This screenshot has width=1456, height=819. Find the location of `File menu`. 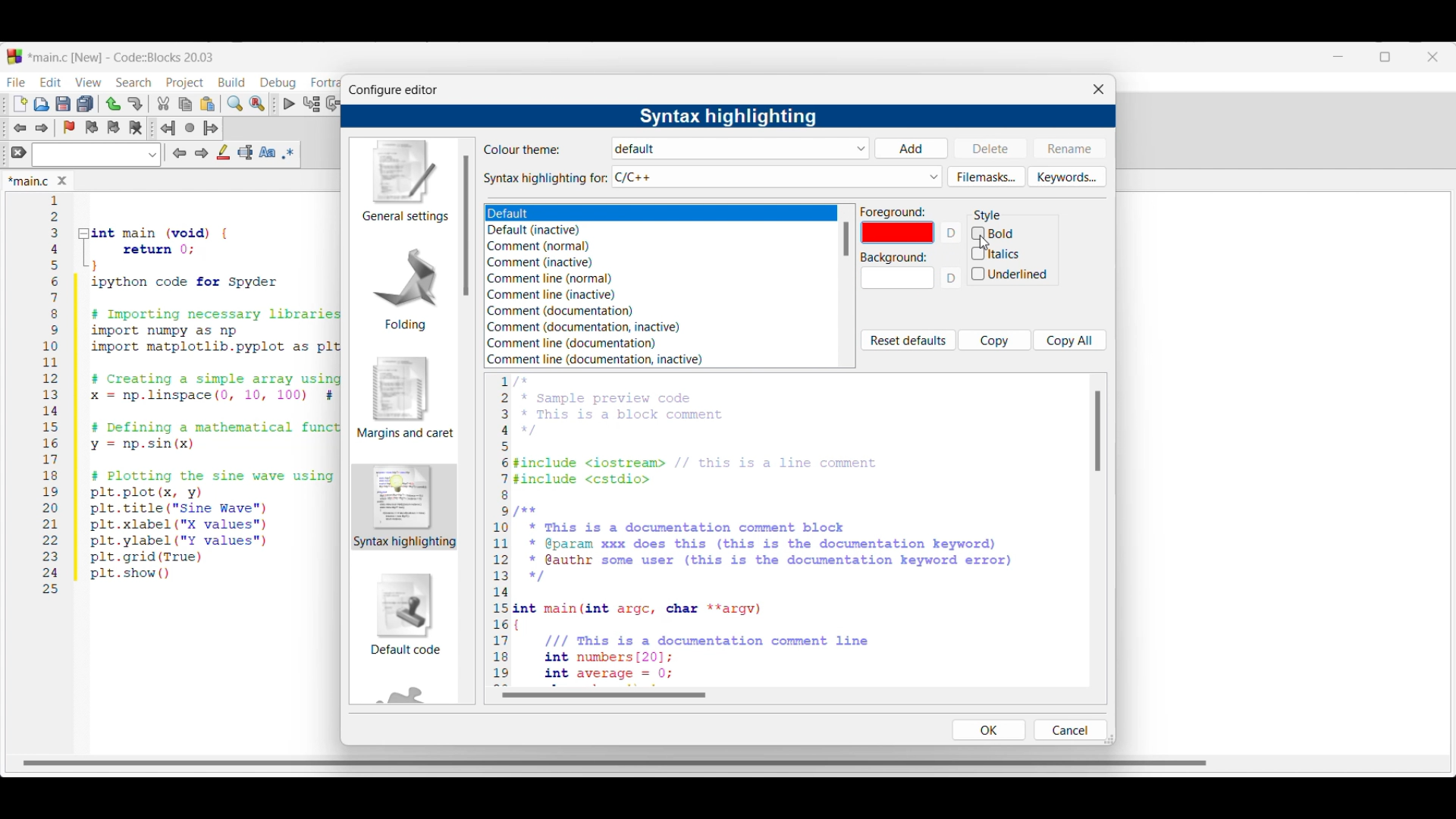

File menu is located at coordinates (16, 82).